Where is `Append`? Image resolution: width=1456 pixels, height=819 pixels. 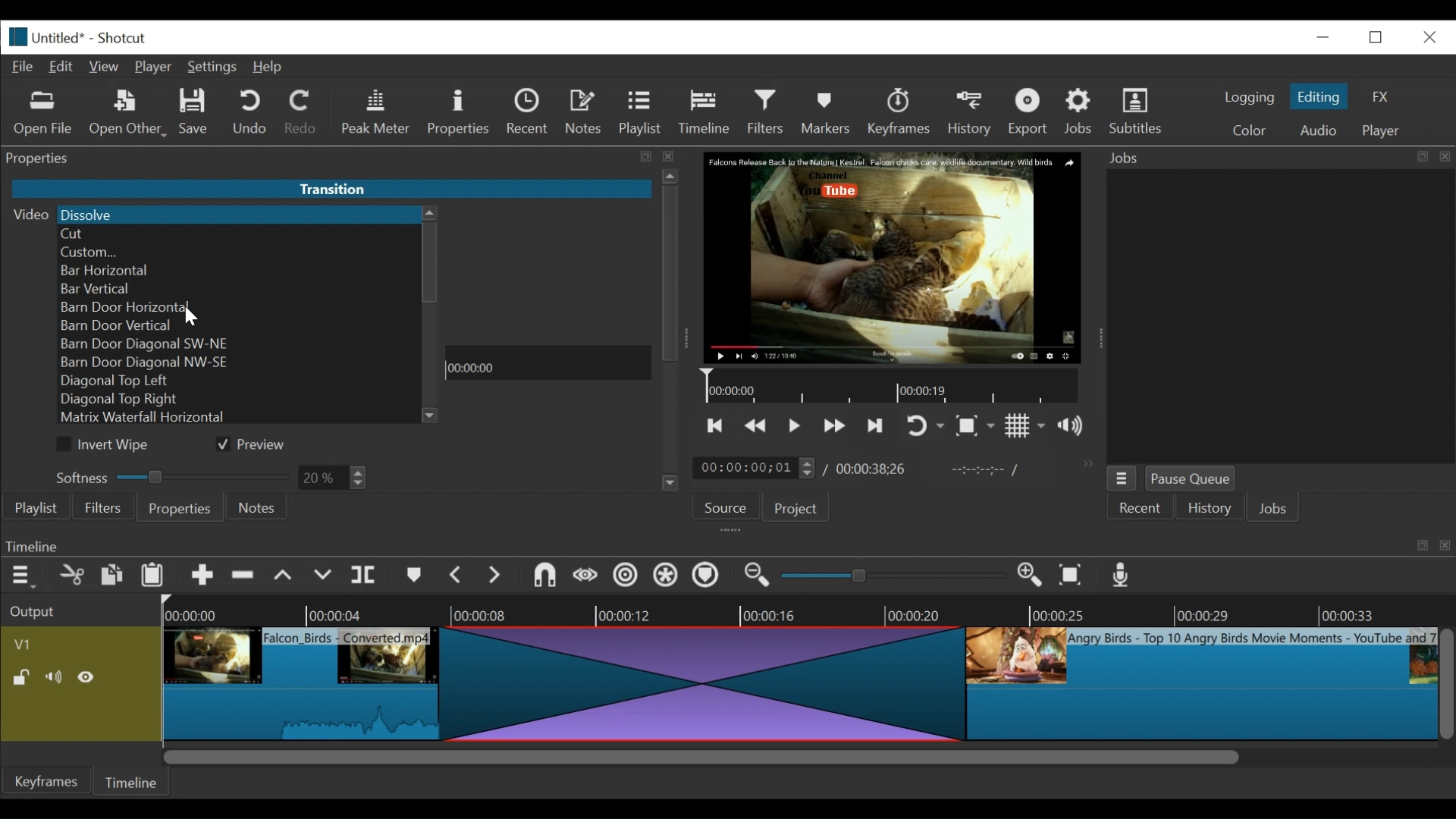
Append is located at coordinates (202, 579).